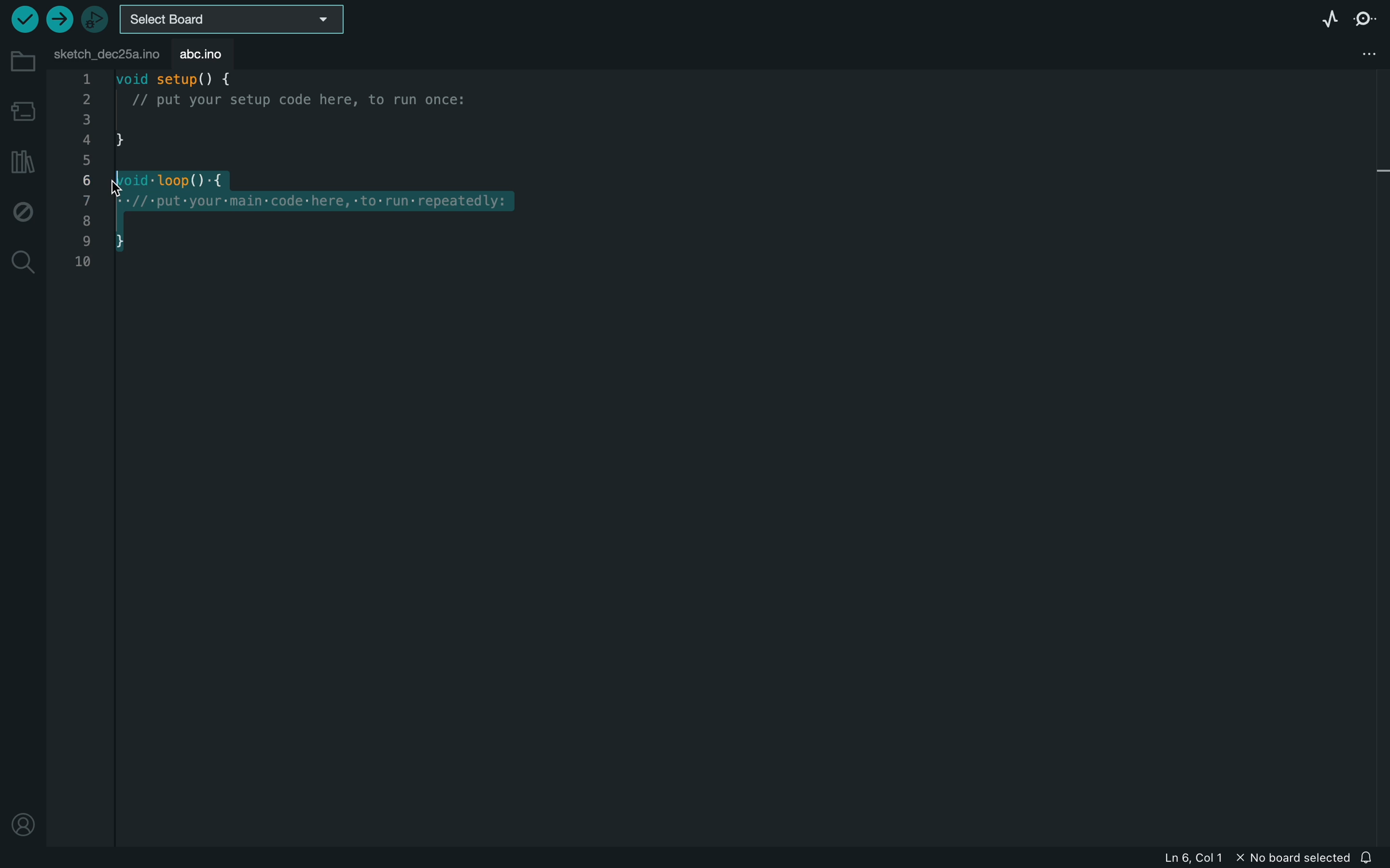 This screenshot has width=1390, height=868. Describe the element at coordinates (22, 263) in the screenshot. I see `search` at that location.